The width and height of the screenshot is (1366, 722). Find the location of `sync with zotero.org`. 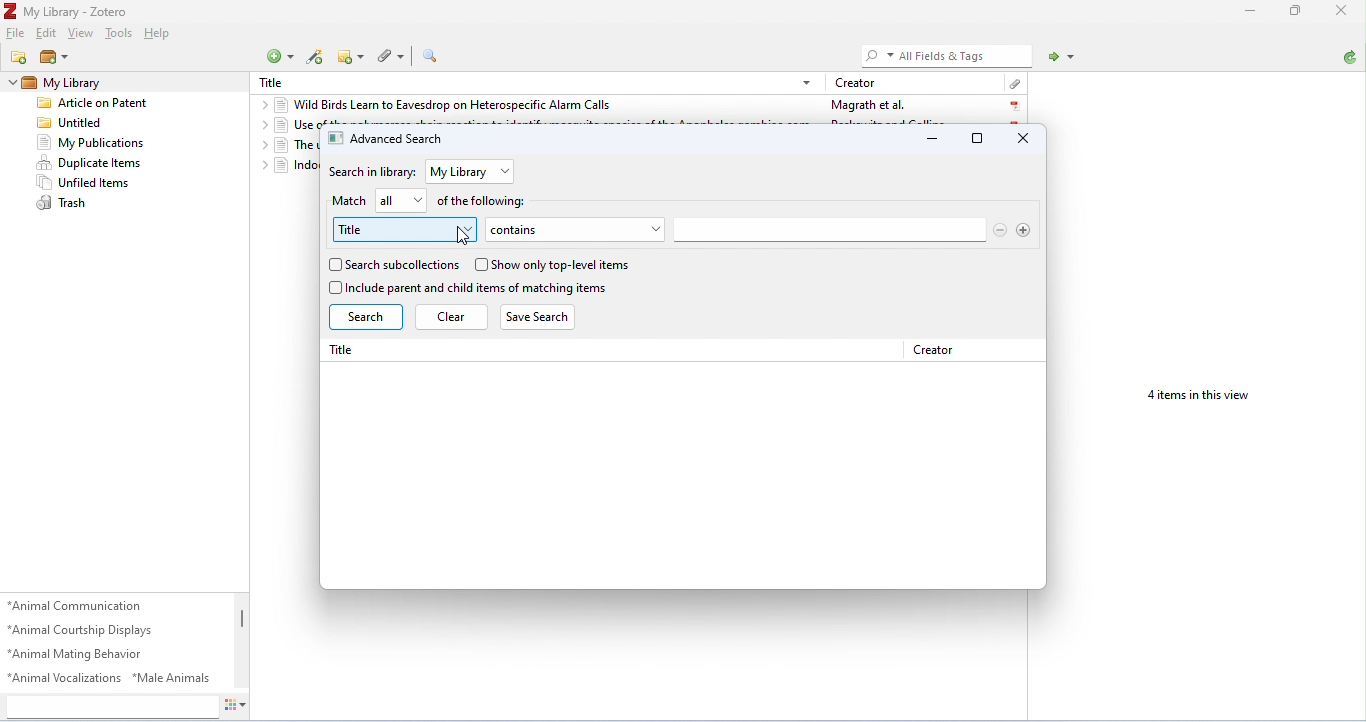

sync with zotero.org is located at coordinates (1351, 58).